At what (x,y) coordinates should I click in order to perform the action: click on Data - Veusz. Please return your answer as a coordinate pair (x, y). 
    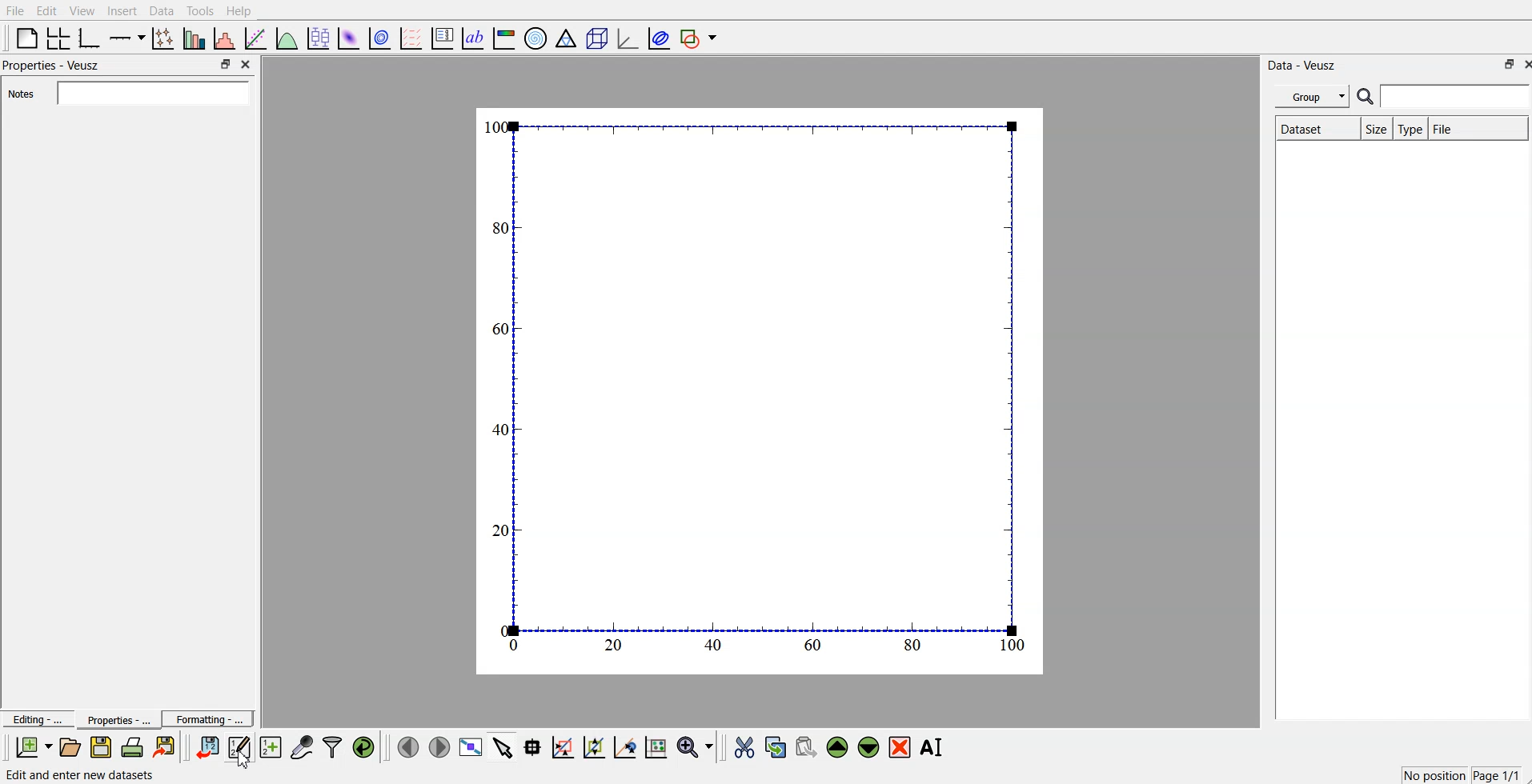
    Looking at the image, I should click on (1308, 64).